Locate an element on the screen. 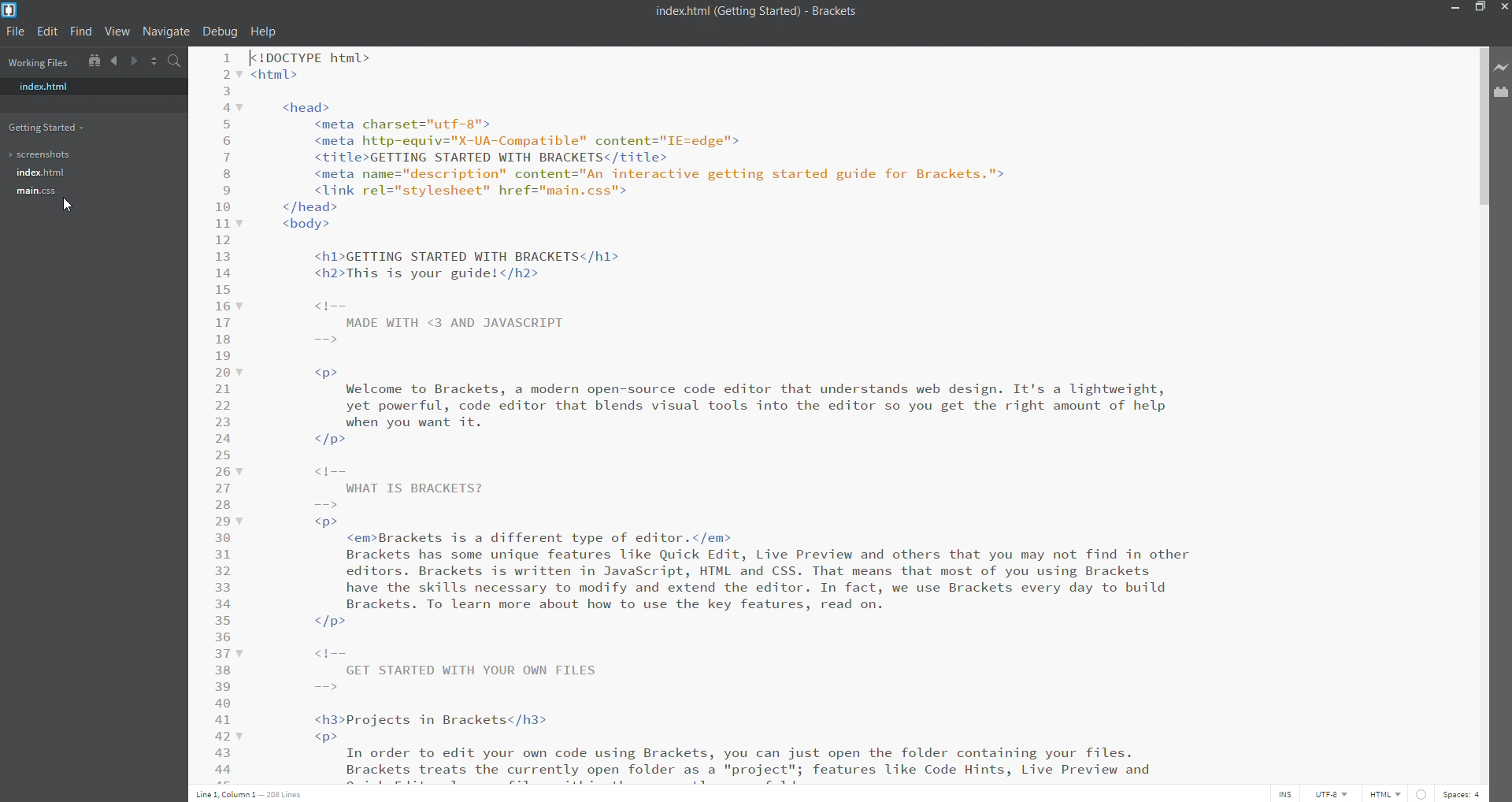  maximize/restore is located at coordinates (1479, 9).